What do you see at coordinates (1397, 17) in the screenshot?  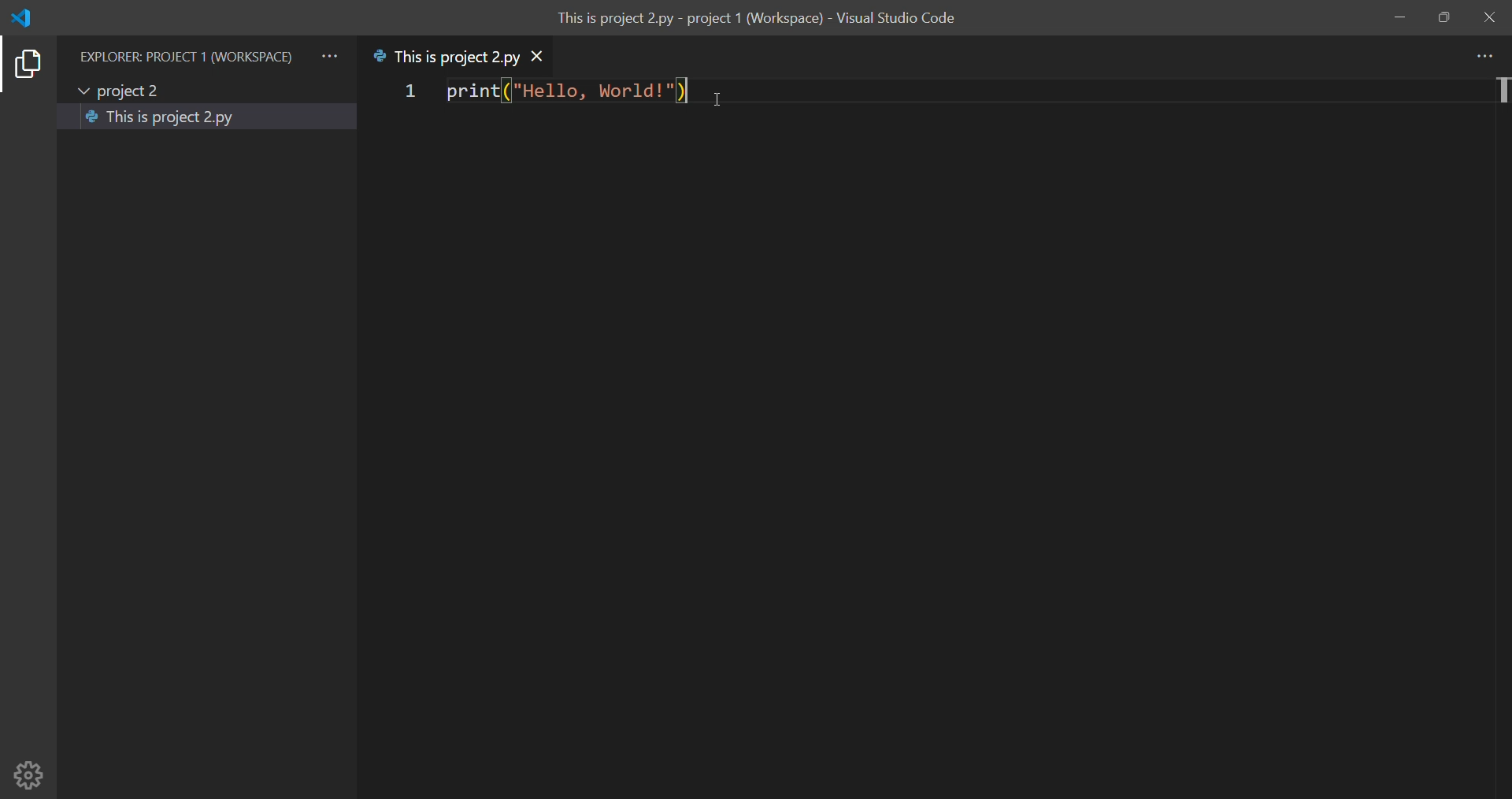 I see `minimize` at bounding box center [1397, 17].